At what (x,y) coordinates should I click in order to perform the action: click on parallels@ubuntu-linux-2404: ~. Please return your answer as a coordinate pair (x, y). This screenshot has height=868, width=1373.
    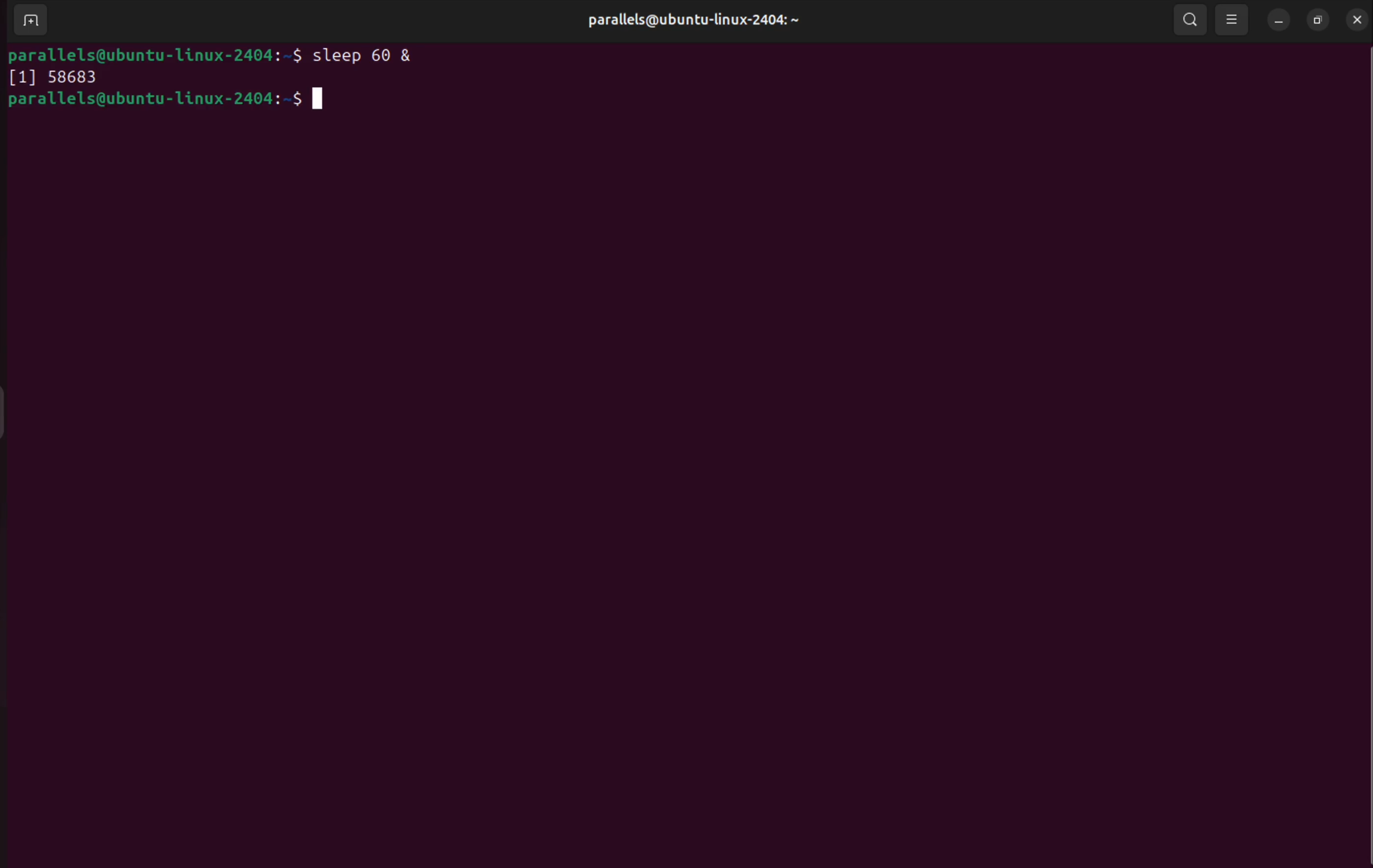
    Looking at the image, I should click on (170, 102).